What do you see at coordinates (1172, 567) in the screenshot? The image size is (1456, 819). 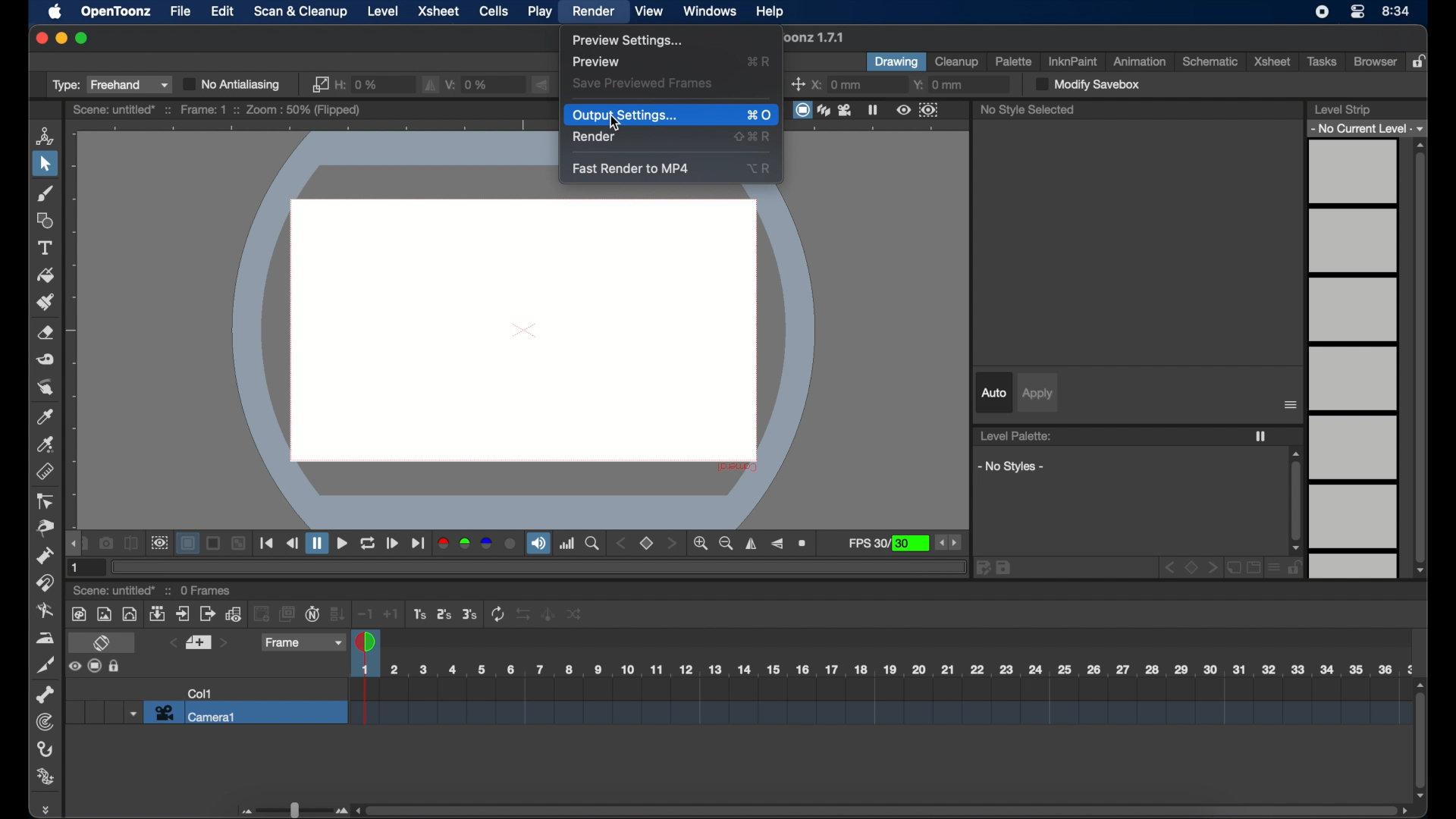 I see `` at bounding box center [1172, 567].